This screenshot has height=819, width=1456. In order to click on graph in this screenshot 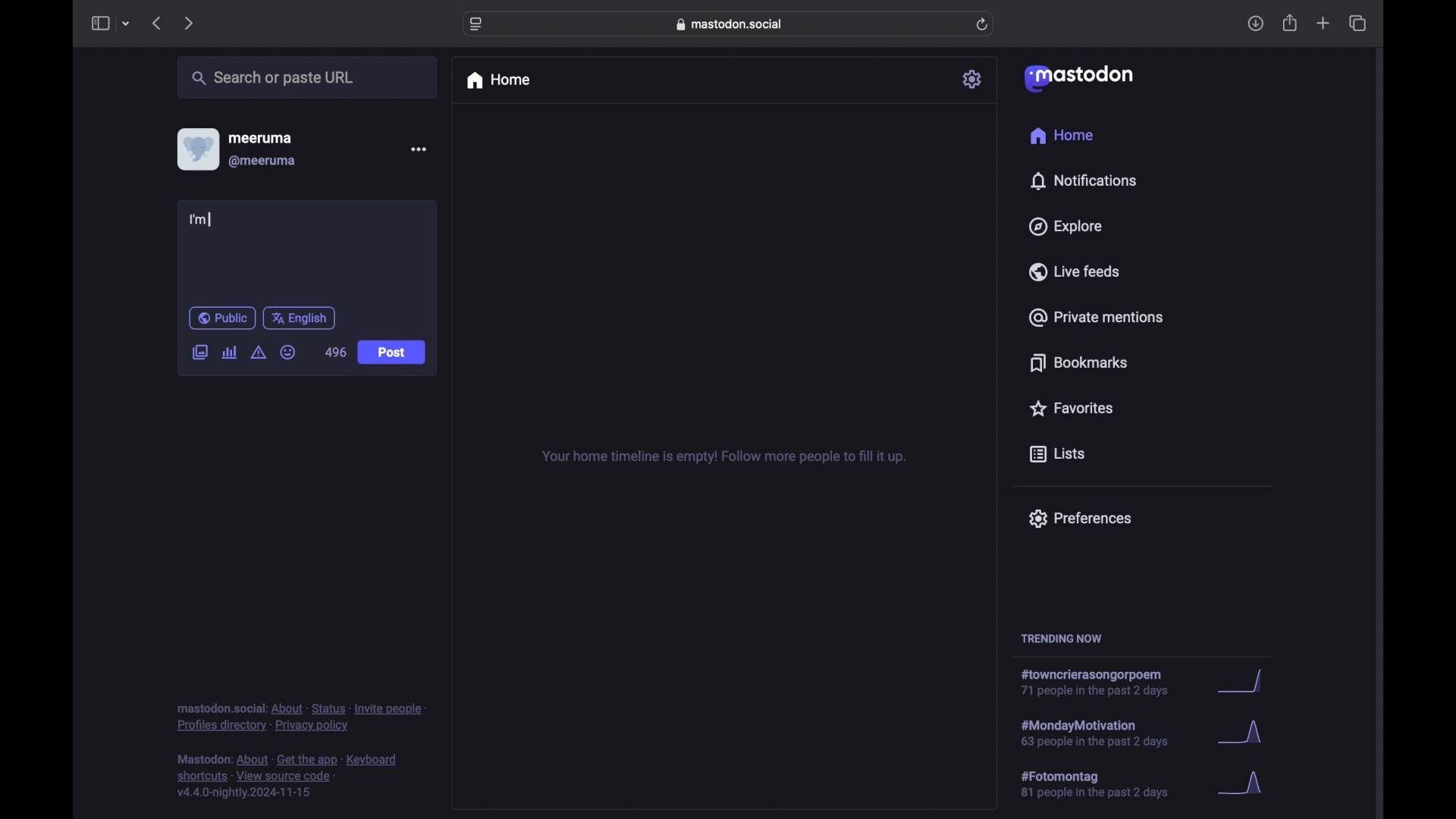, I will do `click(1244, 734)`.